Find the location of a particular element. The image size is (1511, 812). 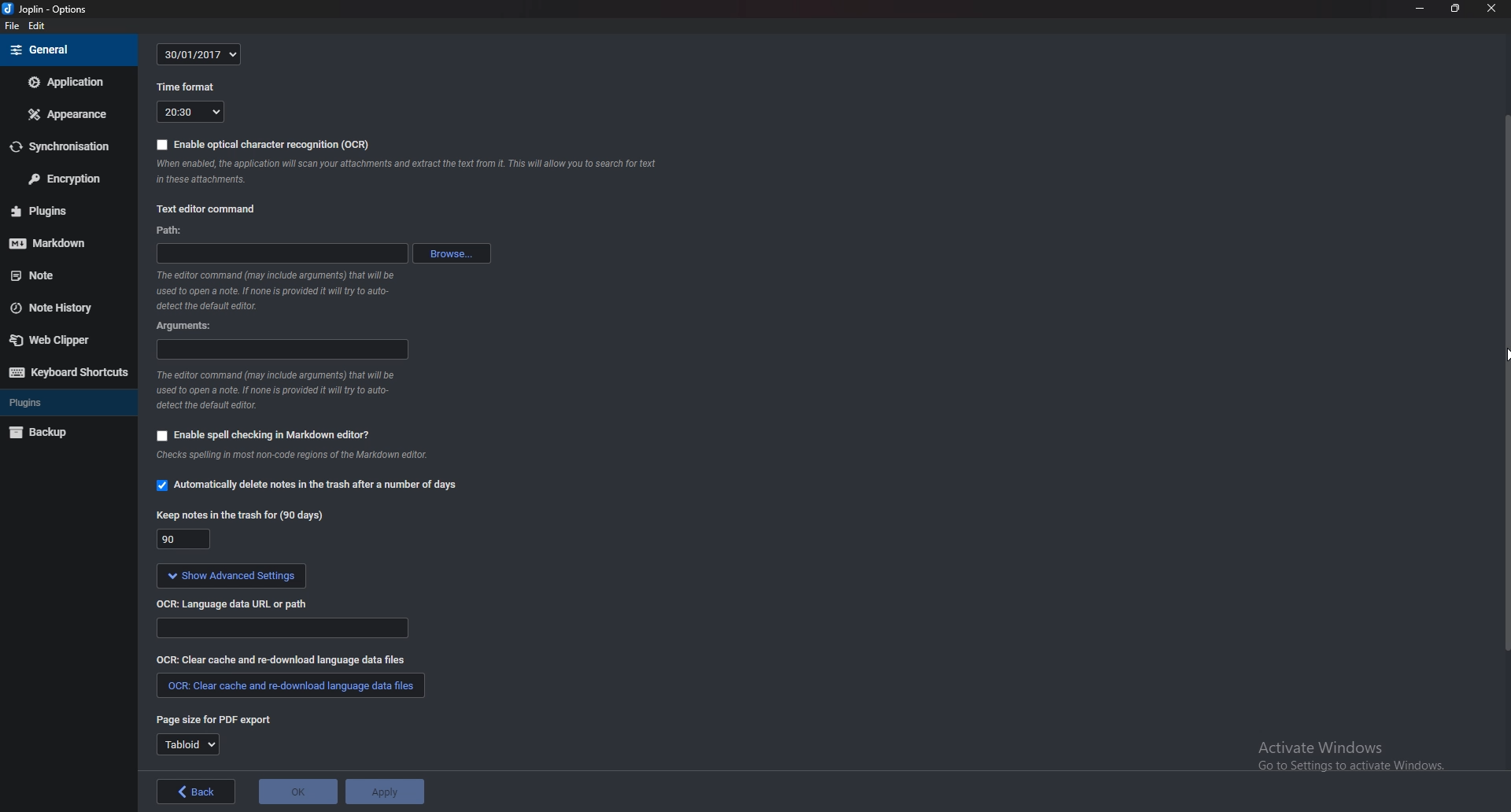

Back up is located at coordinates (64, 434).